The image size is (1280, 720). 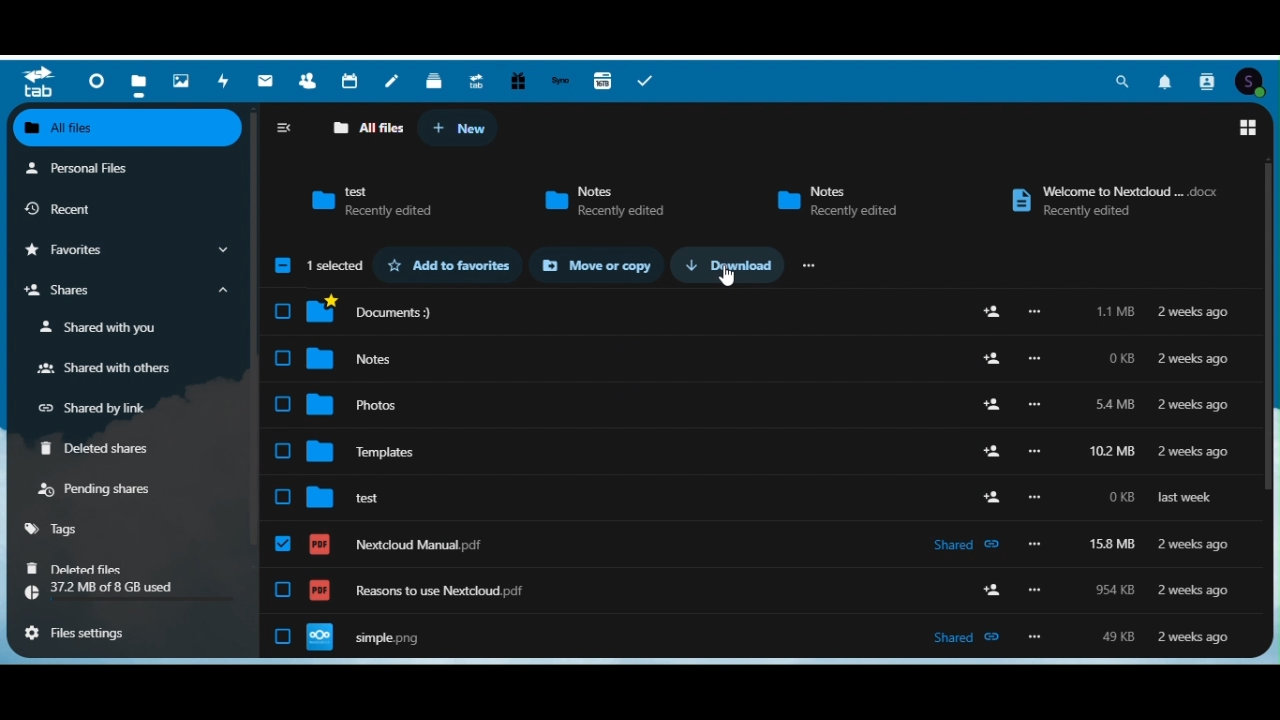 I want to click on notes recently edited, so click(x=837, y=198).